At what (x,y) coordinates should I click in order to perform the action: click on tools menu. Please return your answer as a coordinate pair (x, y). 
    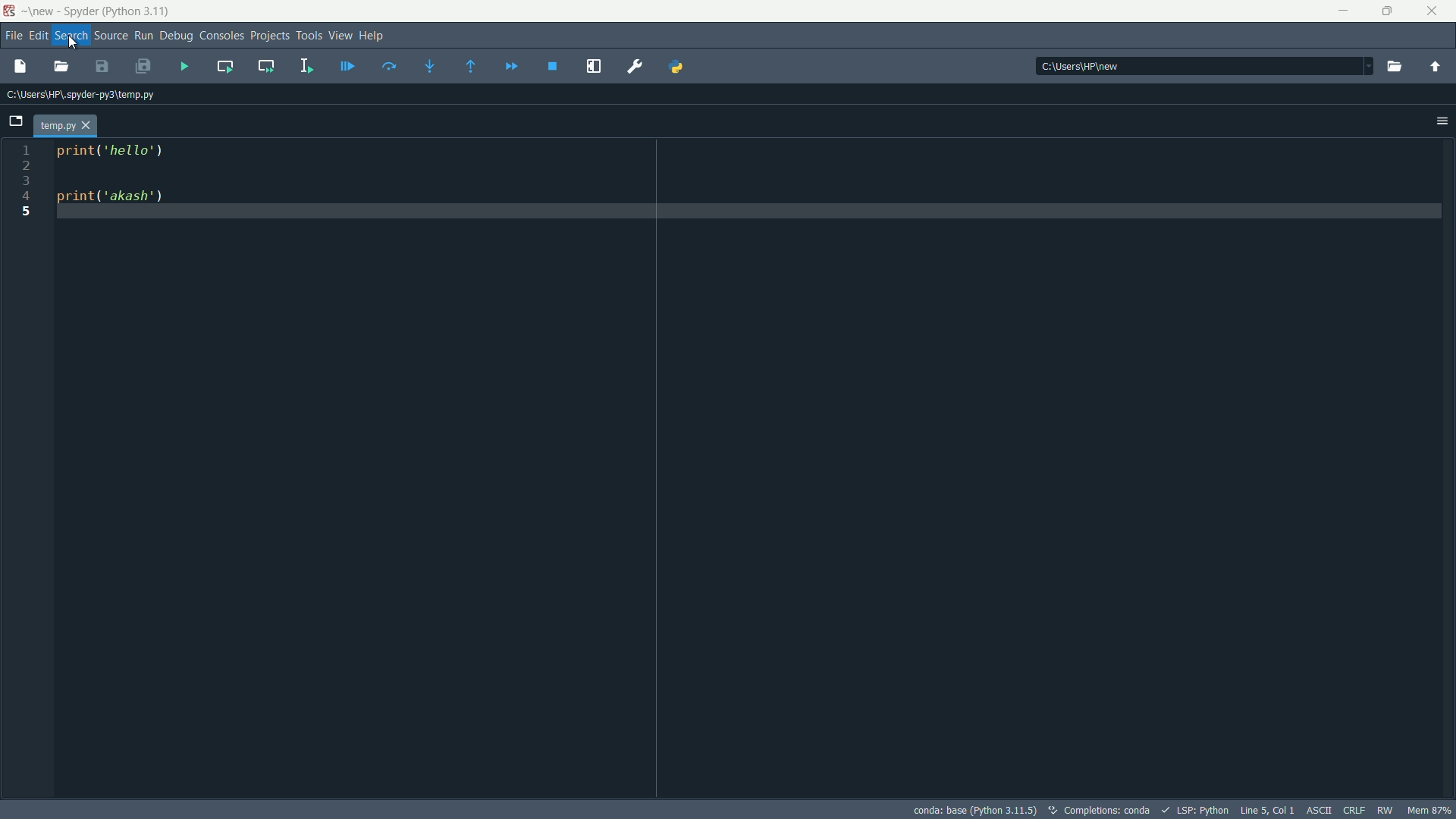
    Looking at the image, I should click on (309, 37).